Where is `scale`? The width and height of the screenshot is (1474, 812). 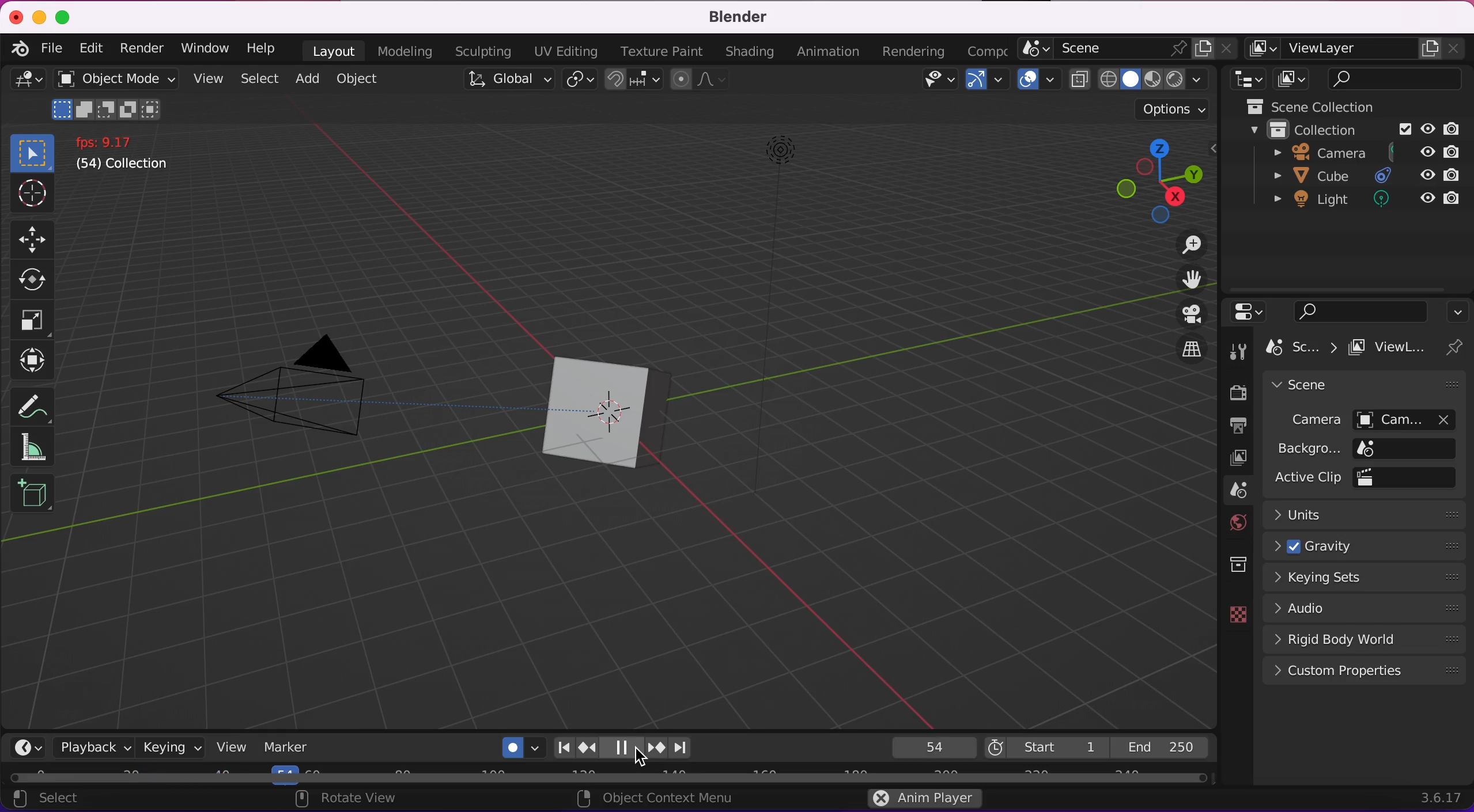
scale is located at coordinates (31, 321).